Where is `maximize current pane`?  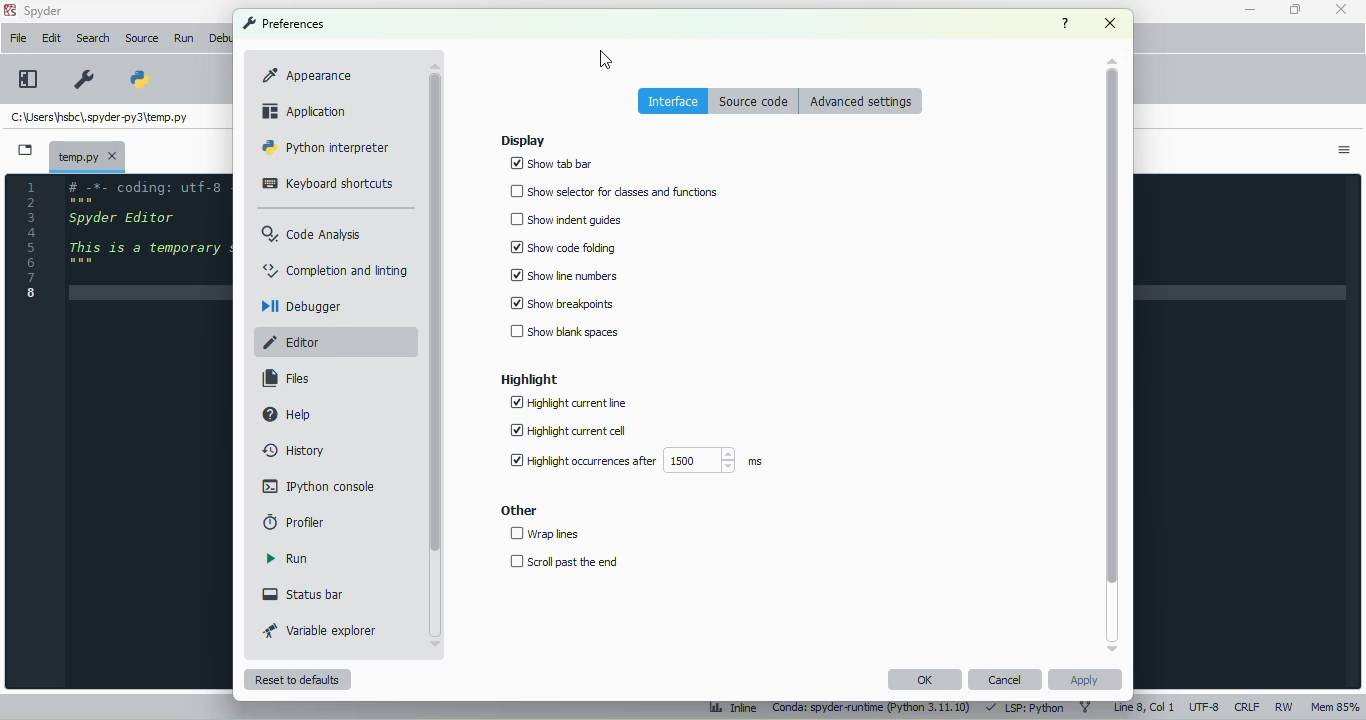 maximize current pane is located at coordinates (29, 79).